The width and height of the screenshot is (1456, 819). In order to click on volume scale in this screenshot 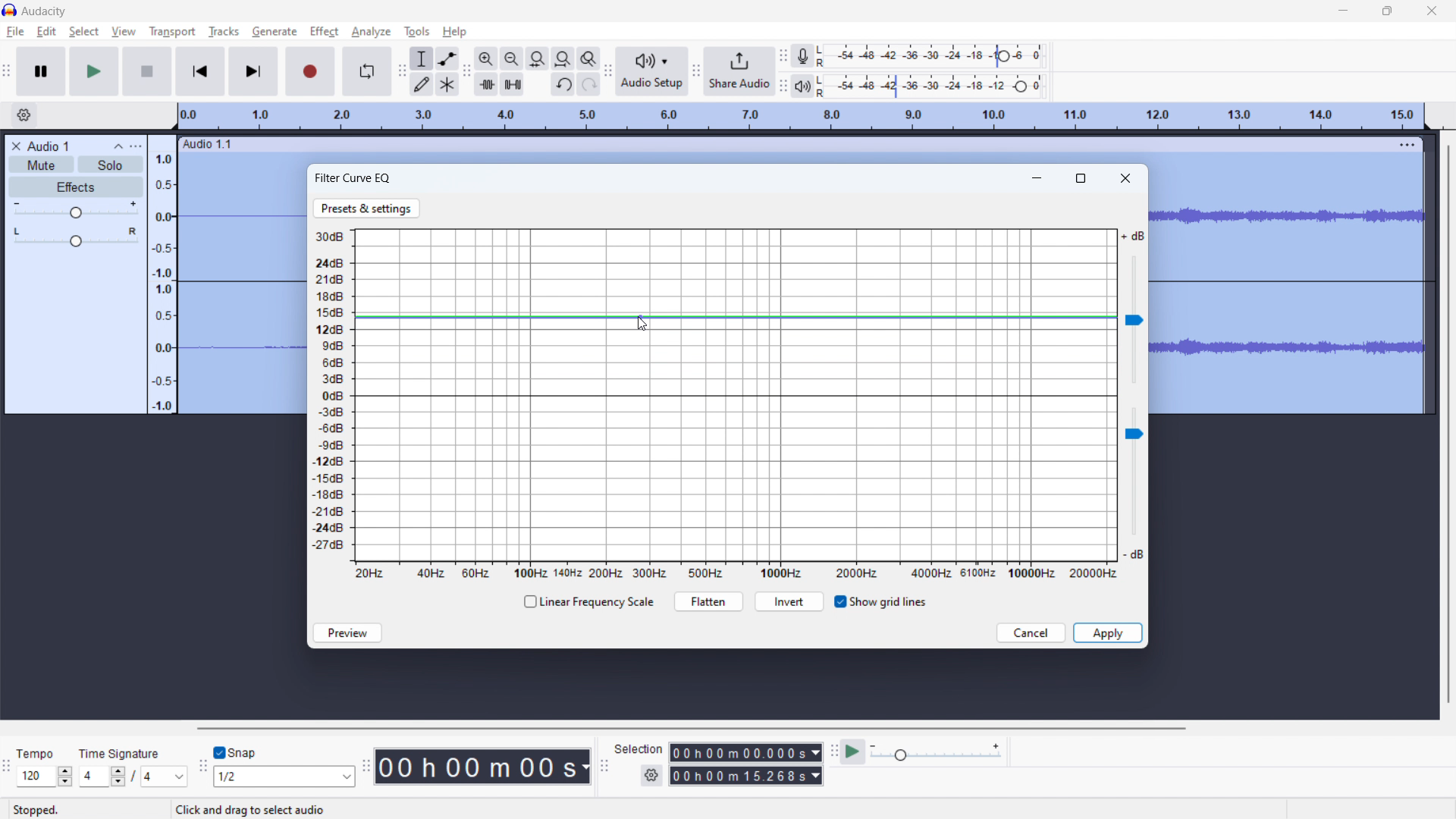, I will do `click(328, 395)`.